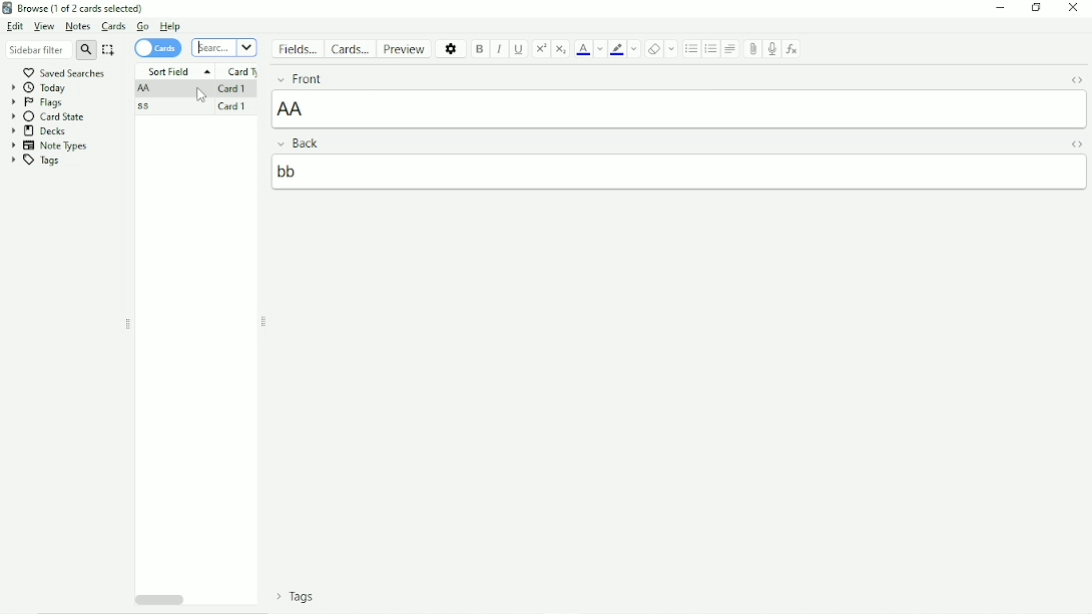 The width and height of the screenshot is (1092, 614). I want to click on AA, so click(145, 89).